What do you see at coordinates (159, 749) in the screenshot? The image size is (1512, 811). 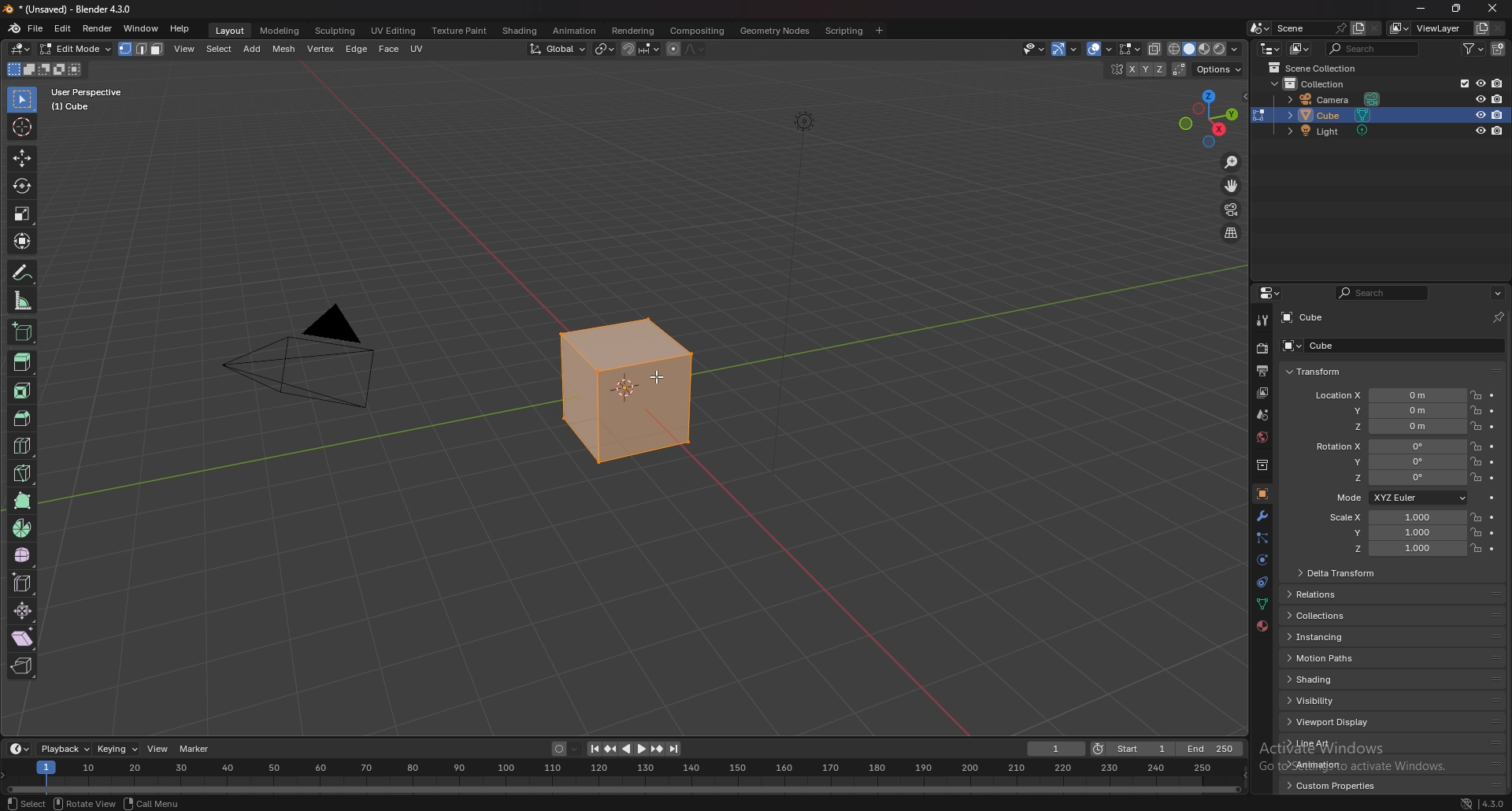 I see `view` at bounding box center [159, 749].